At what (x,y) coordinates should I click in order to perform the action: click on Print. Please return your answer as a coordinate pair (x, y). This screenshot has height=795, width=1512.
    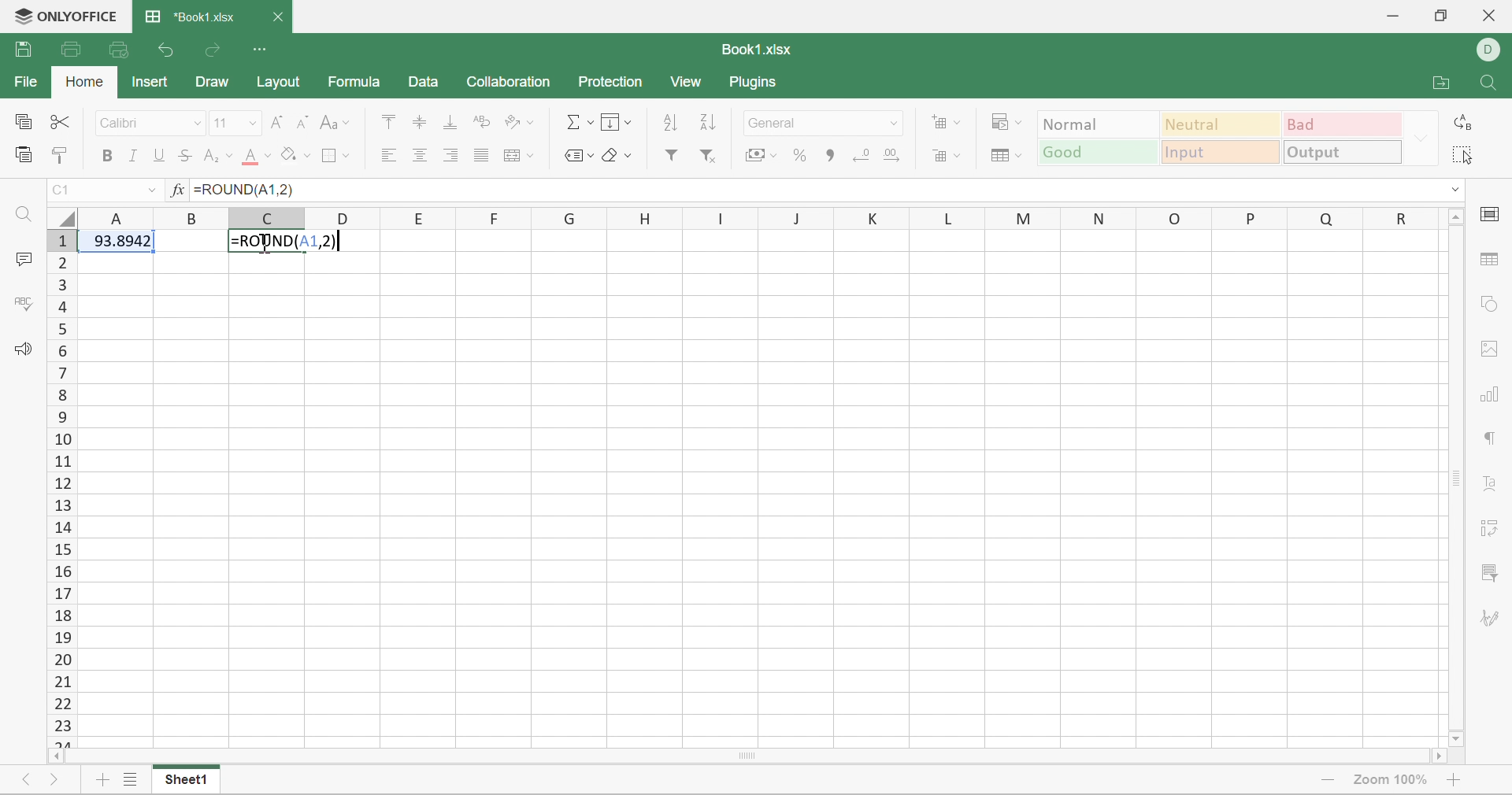
    Looking at the image, I should click on (71, 48).